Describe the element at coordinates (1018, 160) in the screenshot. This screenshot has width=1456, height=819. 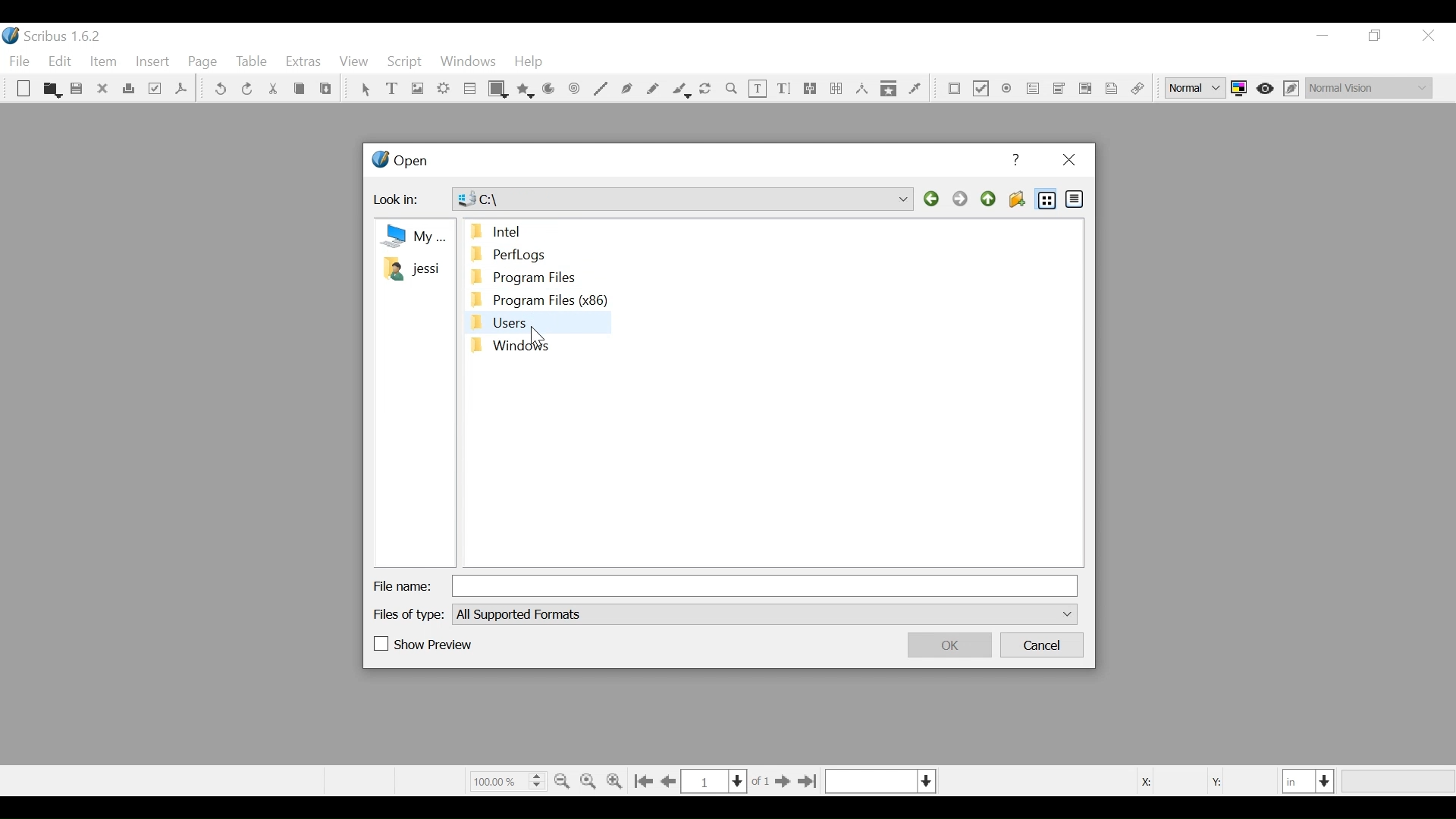
I see `Help` at that location.